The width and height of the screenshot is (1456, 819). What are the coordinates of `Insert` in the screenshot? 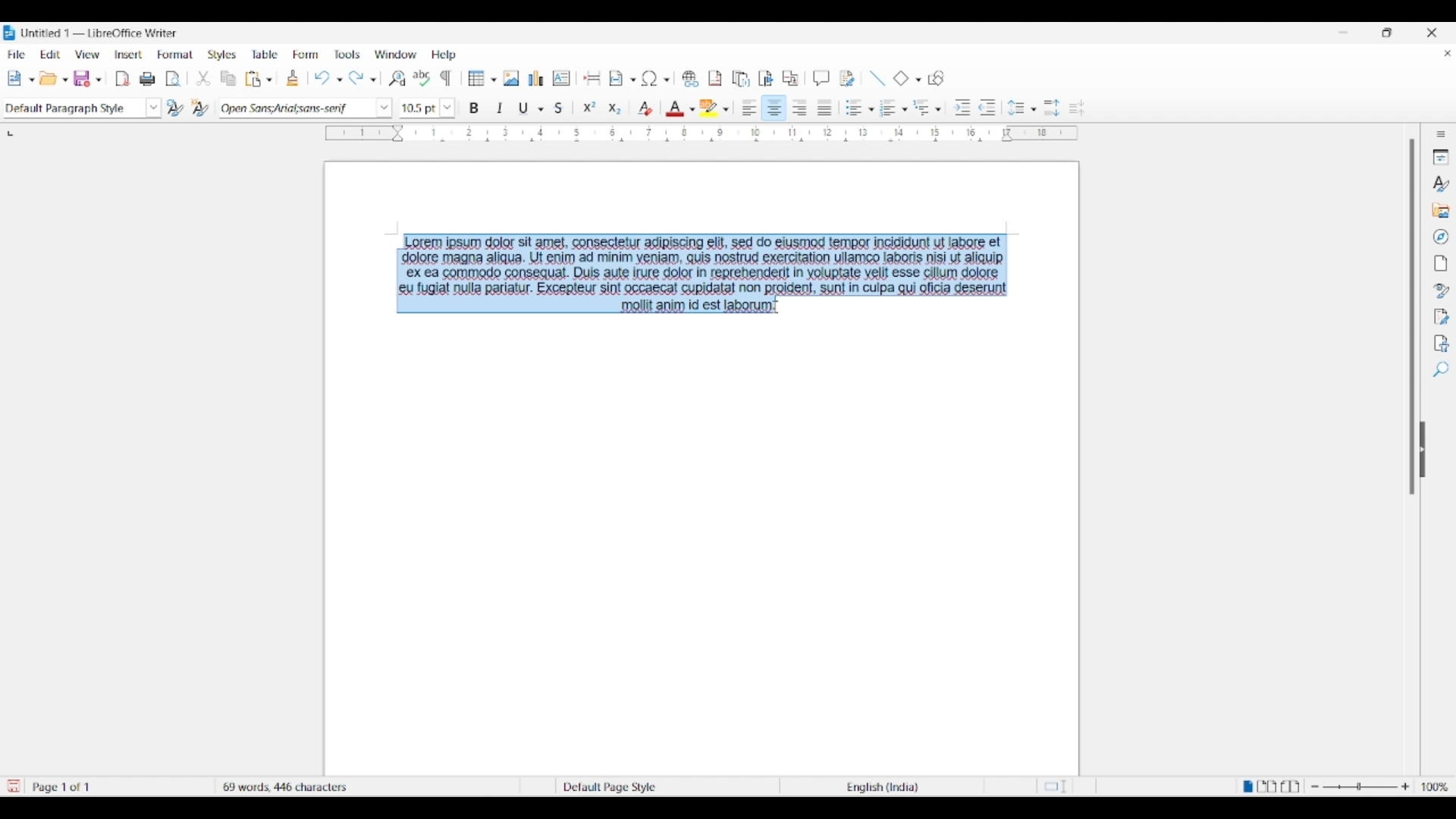 It's located at (129, 54).